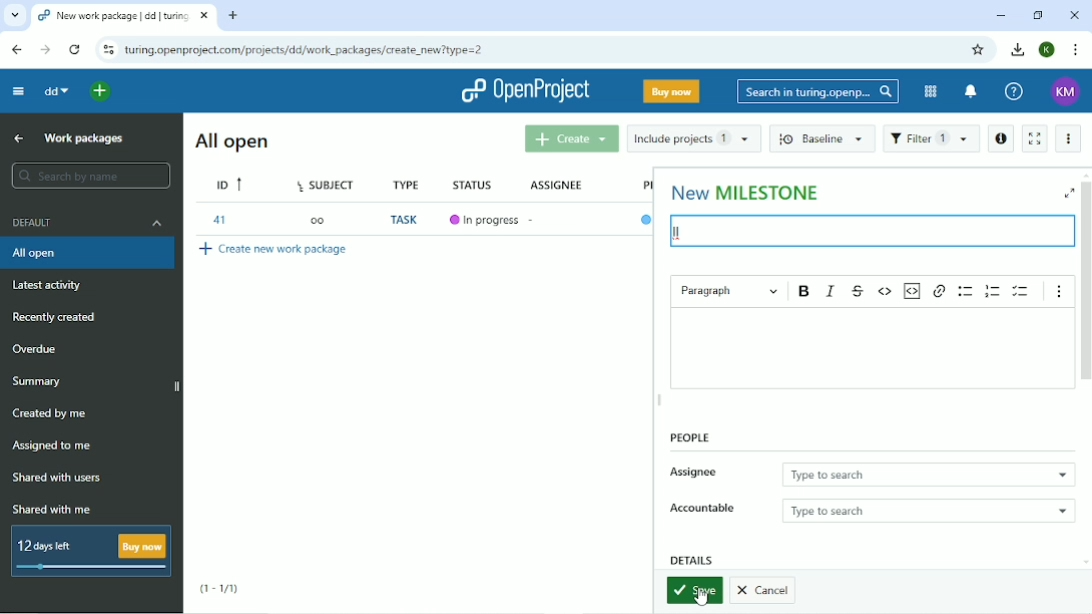  Describe the element at coordinates (1039, 16) in the screenshot. I see `Restore down` at that location.